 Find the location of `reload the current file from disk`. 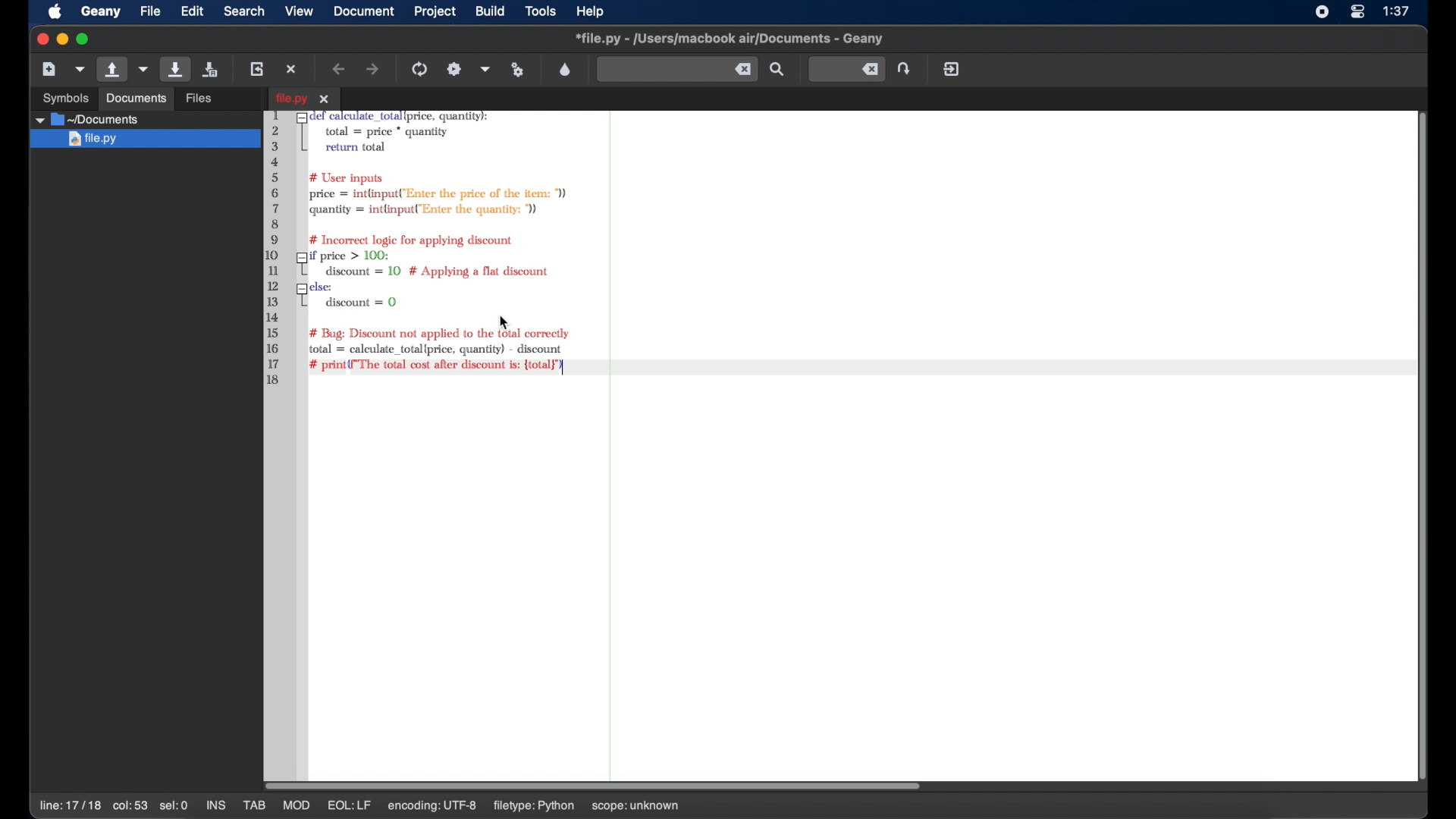

reload the current file from disk is located at coordinates (258, 68).